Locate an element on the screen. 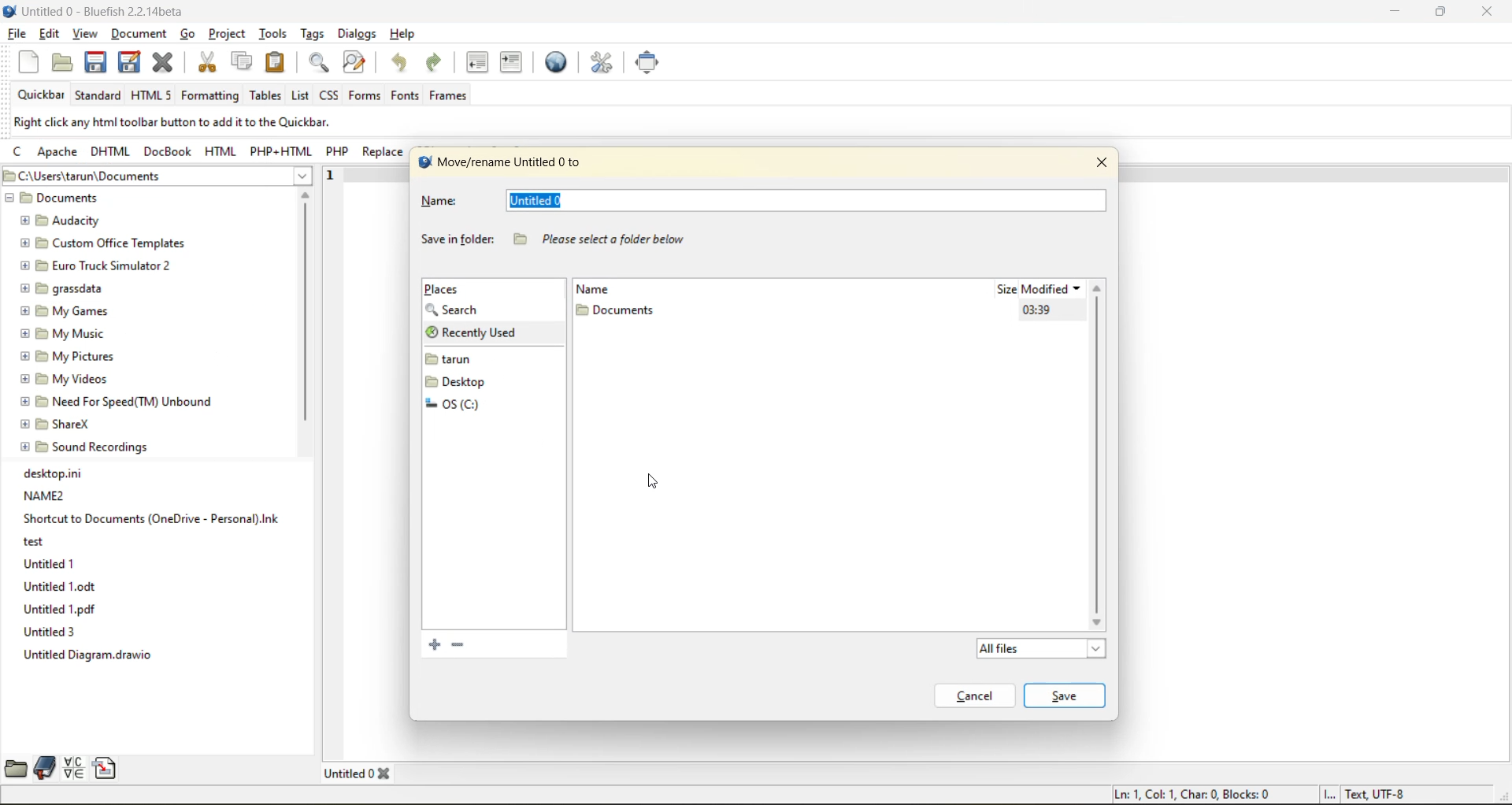 Image resolution: width=1512 pixels, height=805 pixels. cancel is located at coordinates (979, 696).